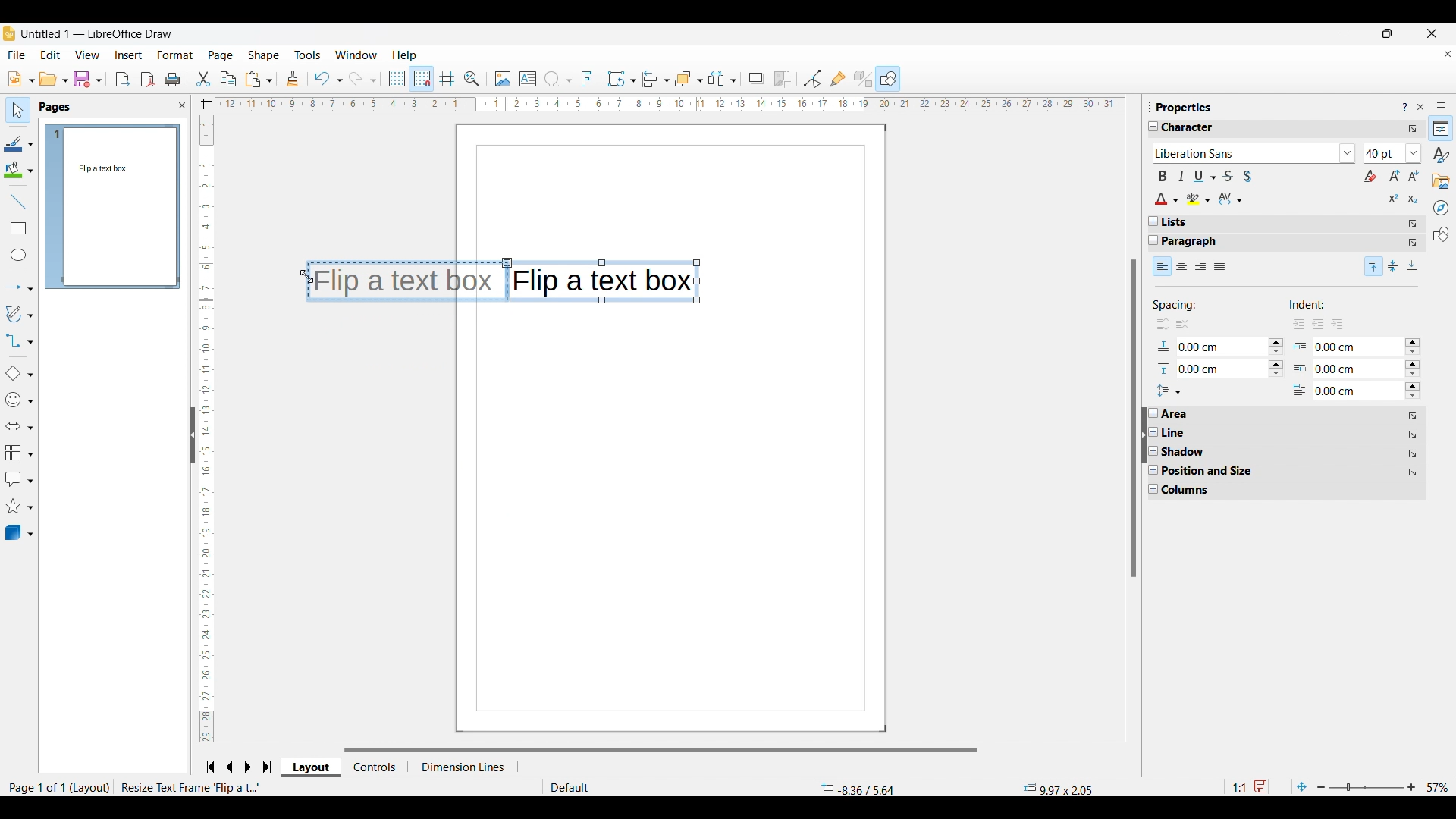 This screenshot has width=1456, height=819. I want to click on Click to collapse sidebar, so click(1144, 435).